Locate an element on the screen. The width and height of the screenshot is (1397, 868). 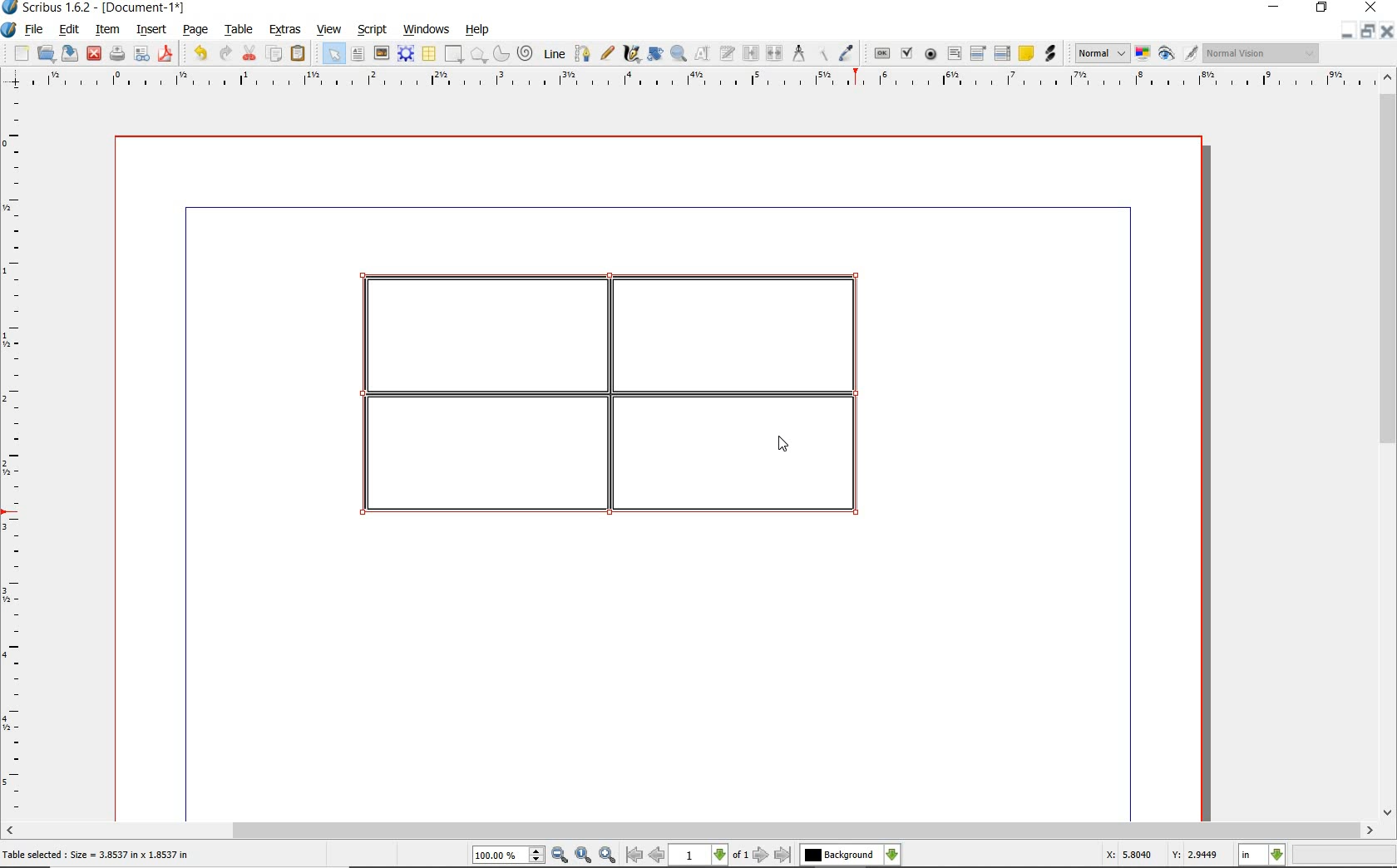
toggle color management system is located at coordinates (1144, 55).